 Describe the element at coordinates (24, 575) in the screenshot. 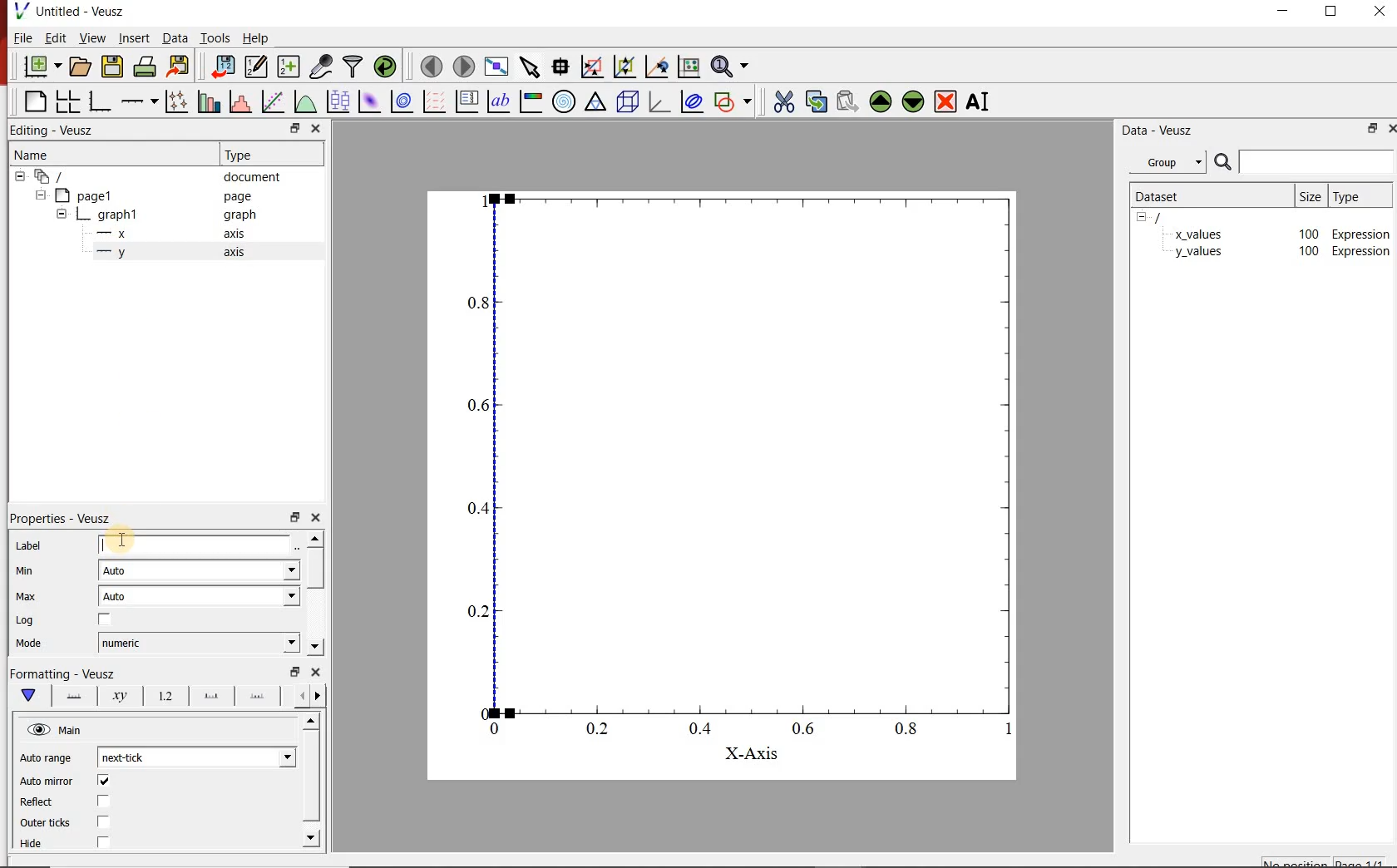

I see `min` at that location.